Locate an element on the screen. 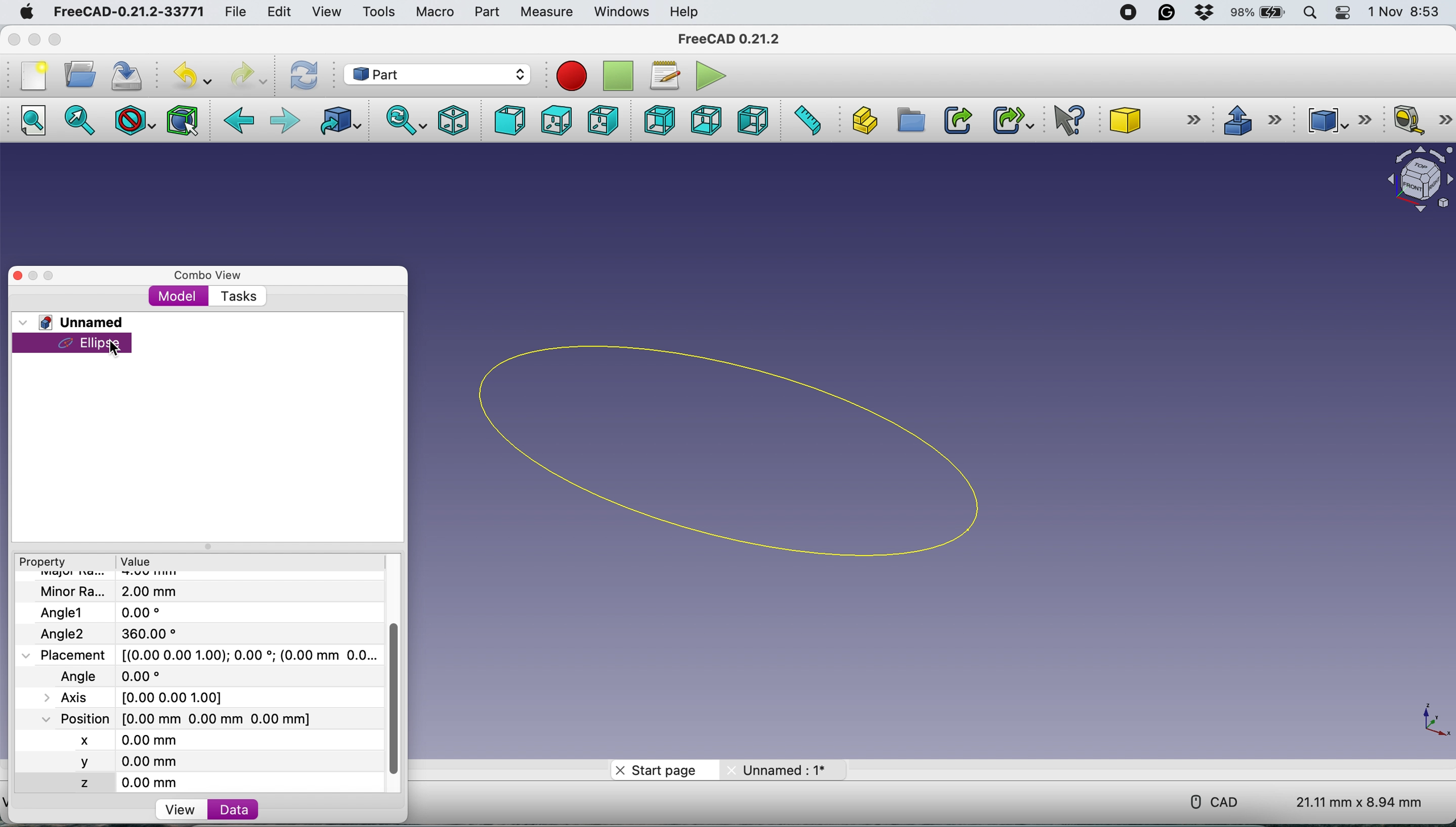 This screenshot has width=1456, height=827. view is located at coordinates (185, 811).